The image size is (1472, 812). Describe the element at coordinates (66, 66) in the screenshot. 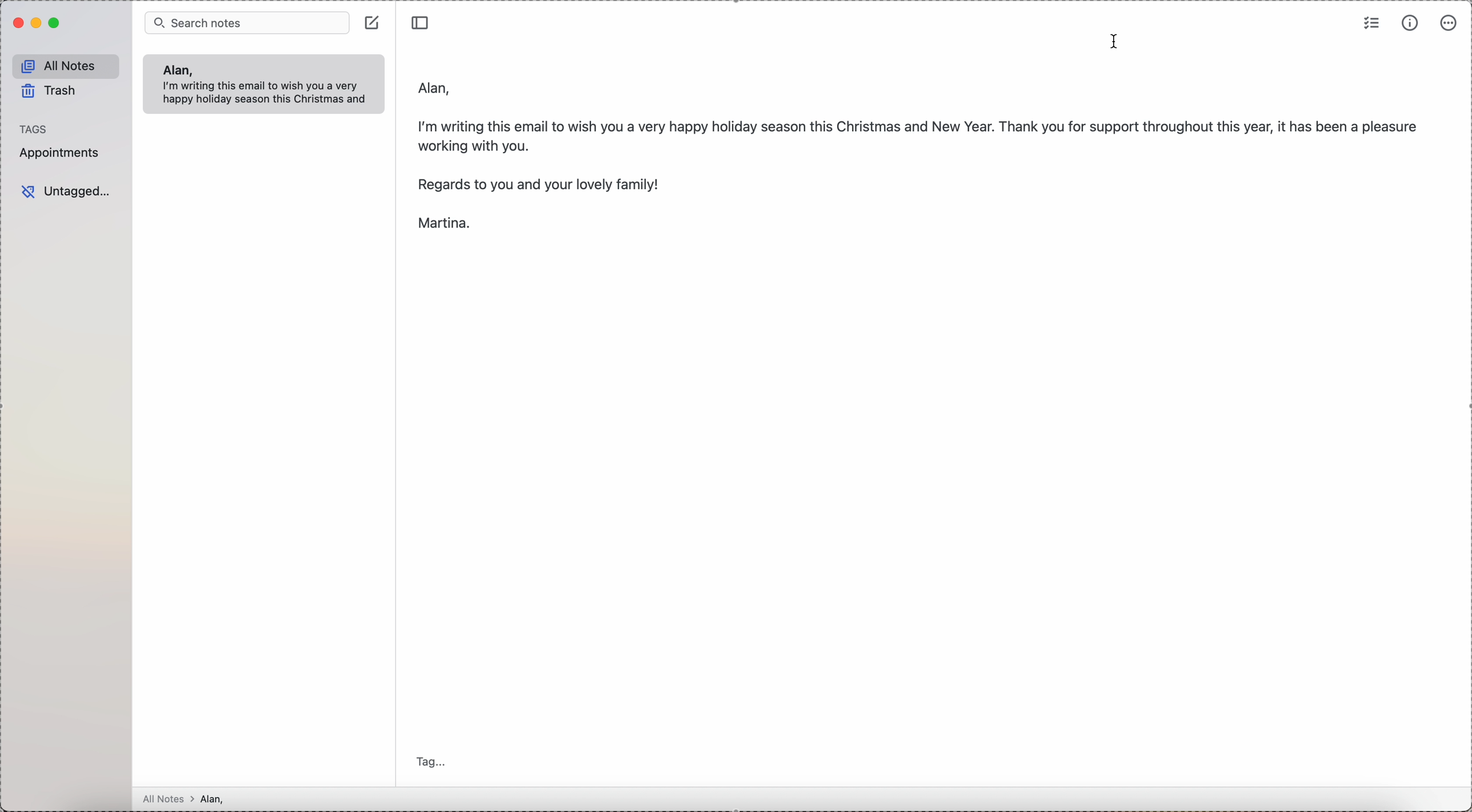

I see `all notes` at that location.